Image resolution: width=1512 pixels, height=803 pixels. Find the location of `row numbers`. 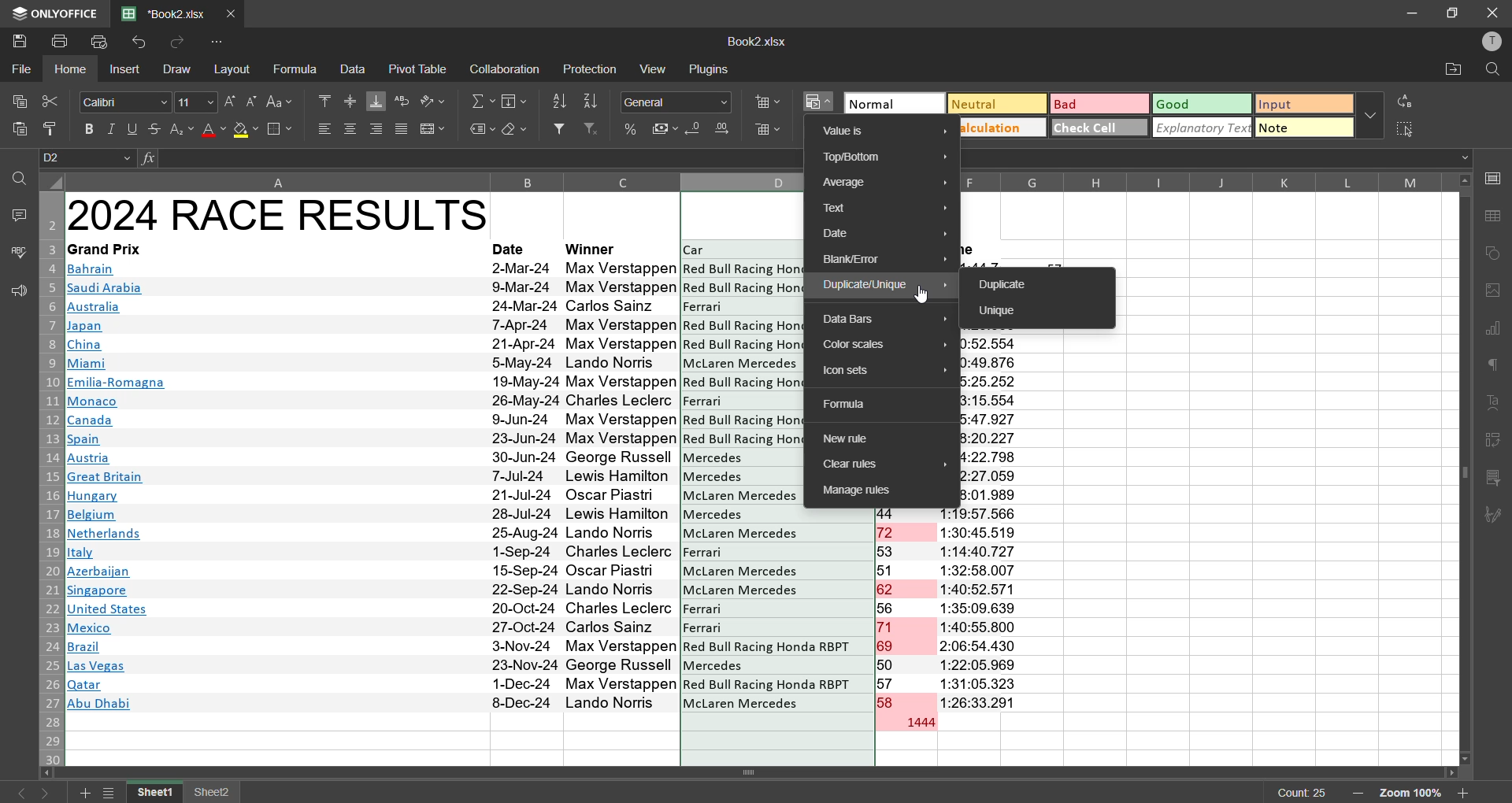

row numbers is located at coordinates (48, 479).